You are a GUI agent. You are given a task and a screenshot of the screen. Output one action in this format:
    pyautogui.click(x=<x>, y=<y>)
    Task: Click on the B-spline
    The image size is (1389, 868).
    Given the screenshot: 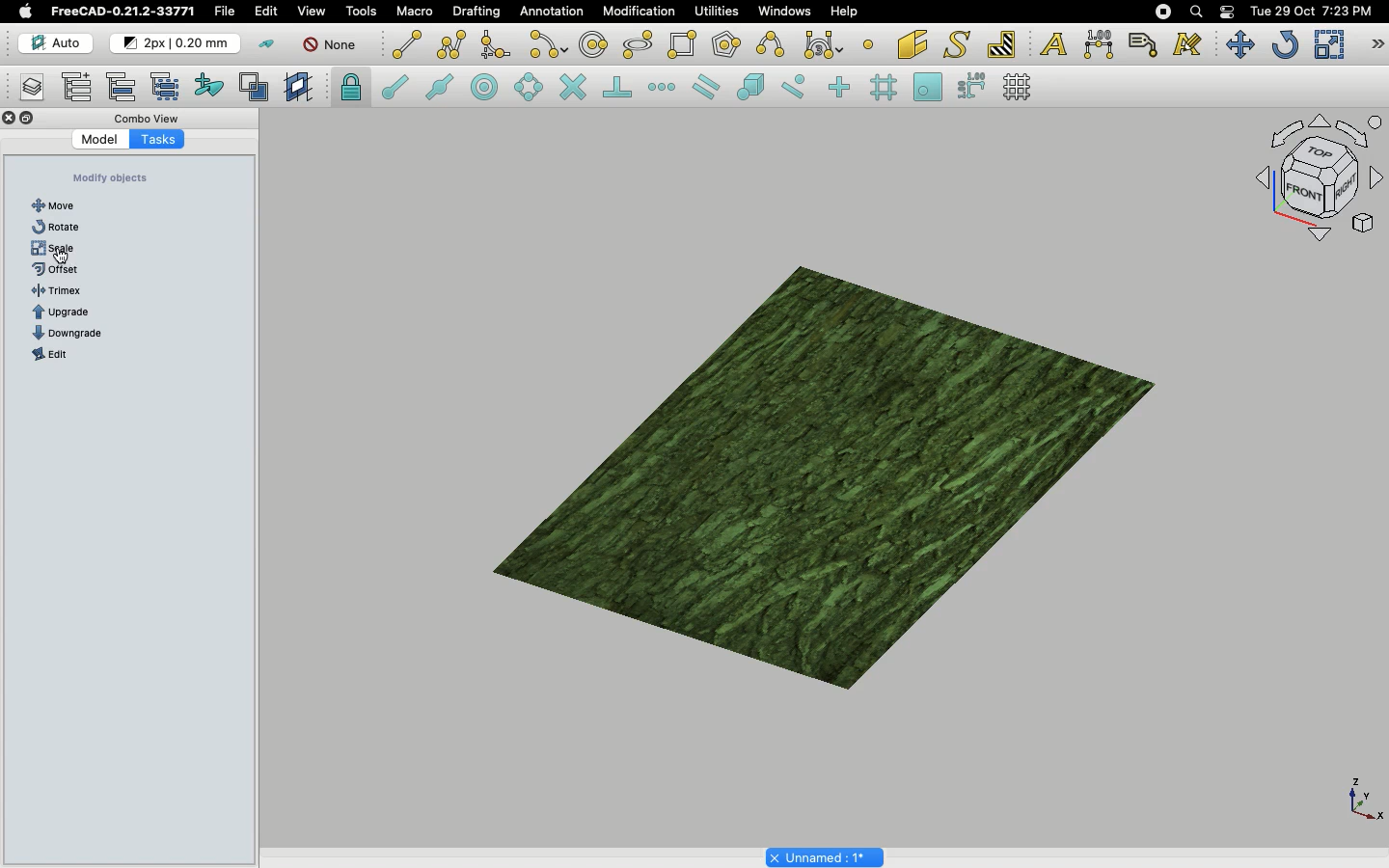 What is the action you would take?
    pyautogui.click(x=770, y=44)
    